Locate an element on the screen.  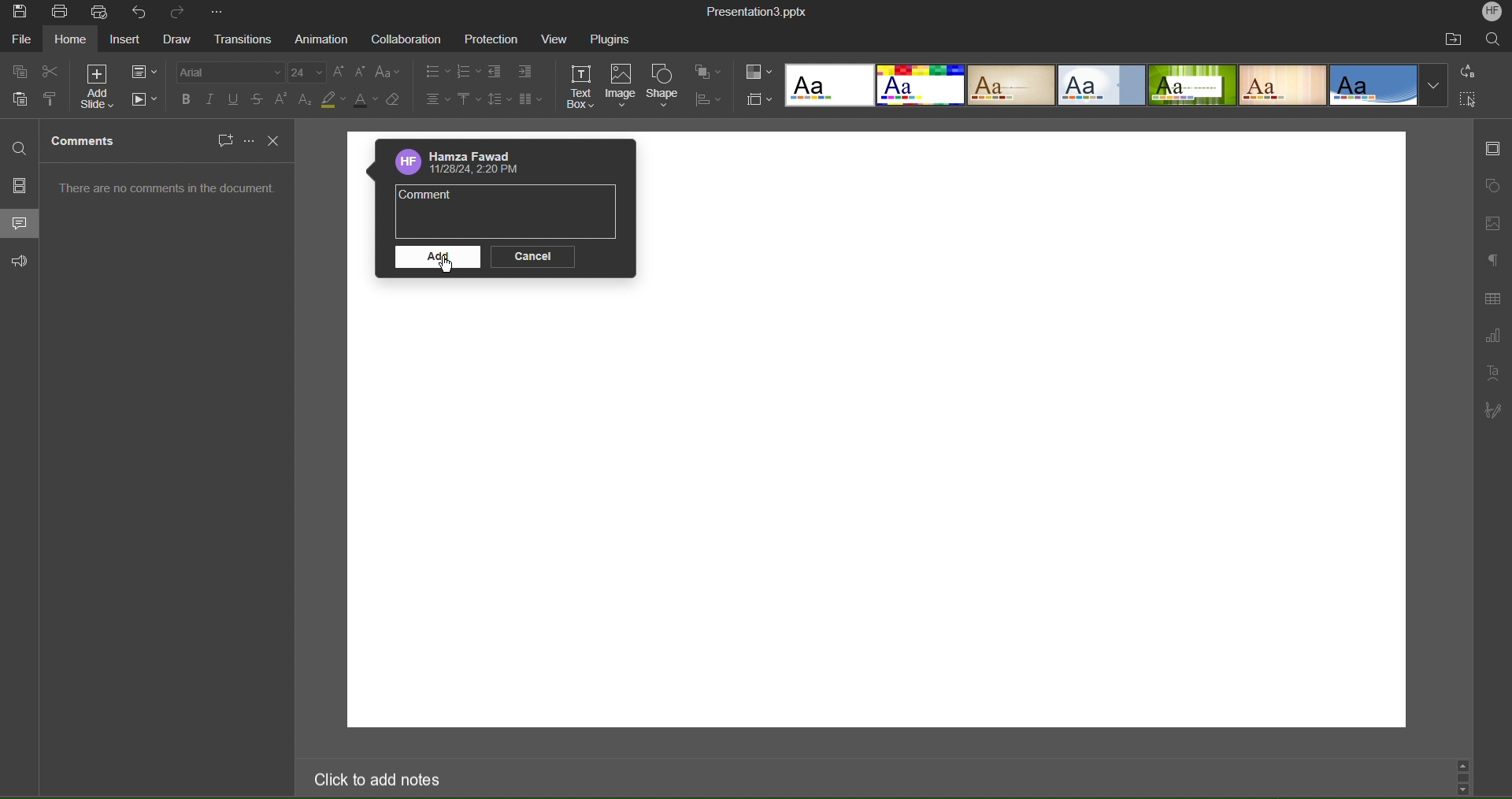
Copy is located at coordinates (21, 71).